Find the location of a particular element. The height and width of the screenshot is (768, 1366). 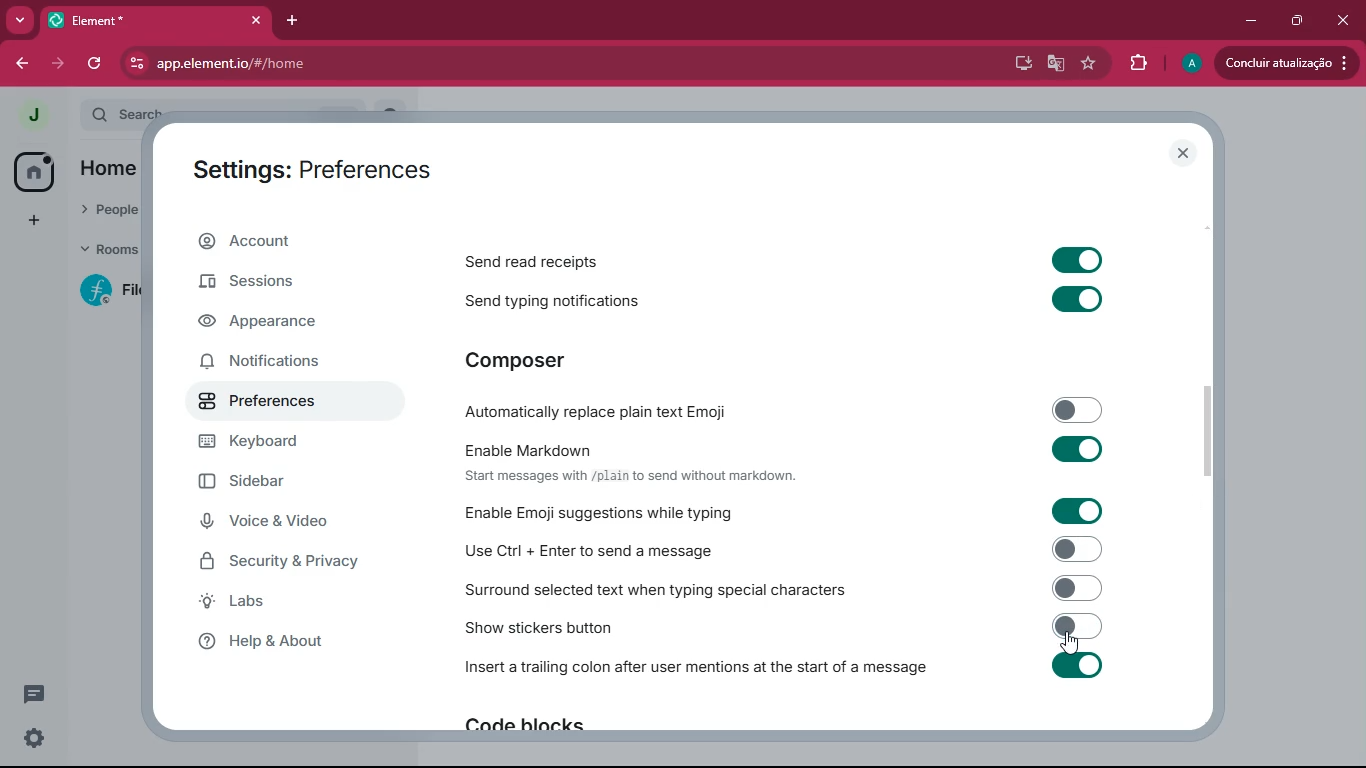

people is located at coordinates (112, 210).